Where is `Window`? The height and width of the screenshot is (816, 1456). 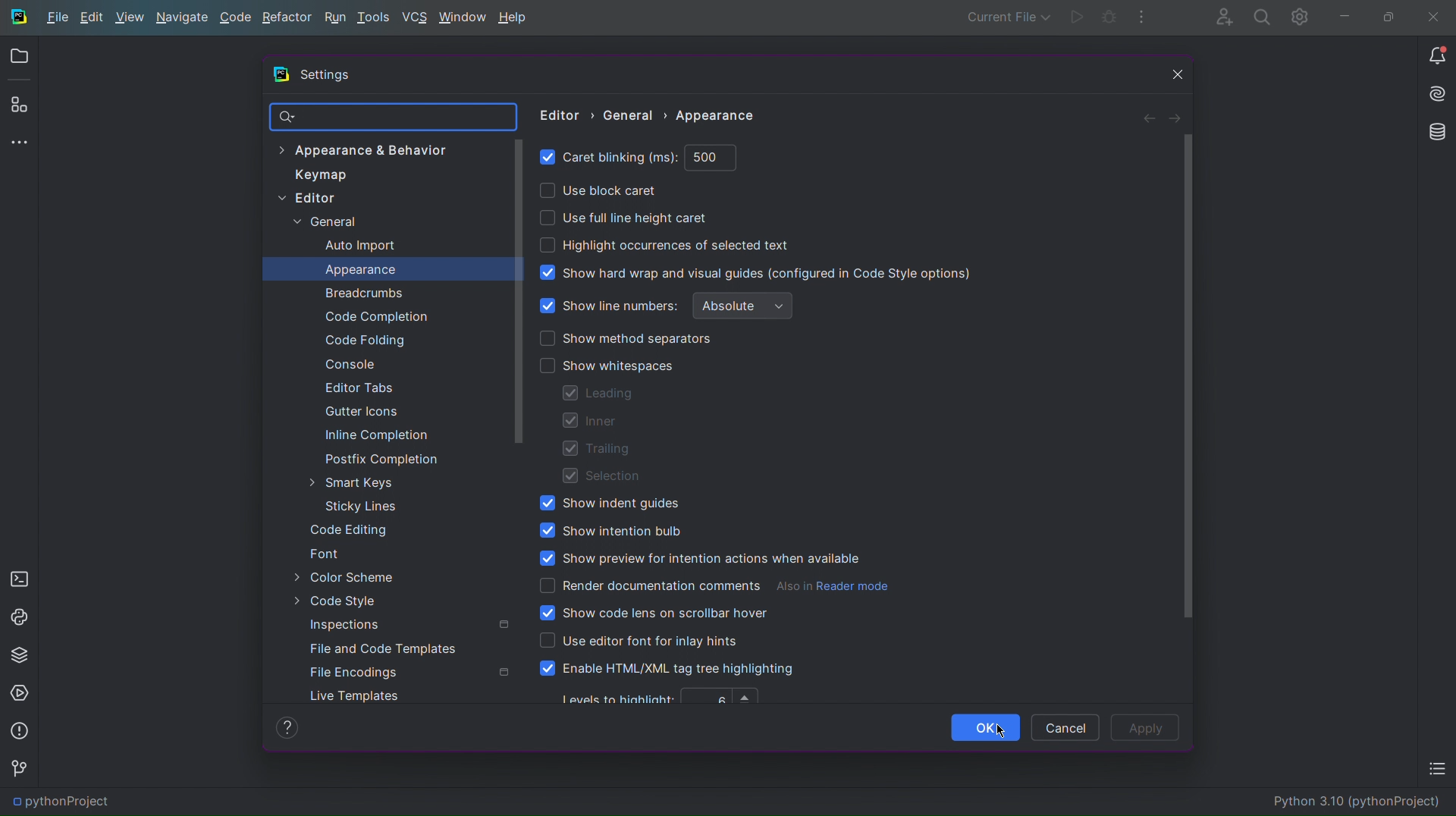
Window is located at coordinates (462, 17).